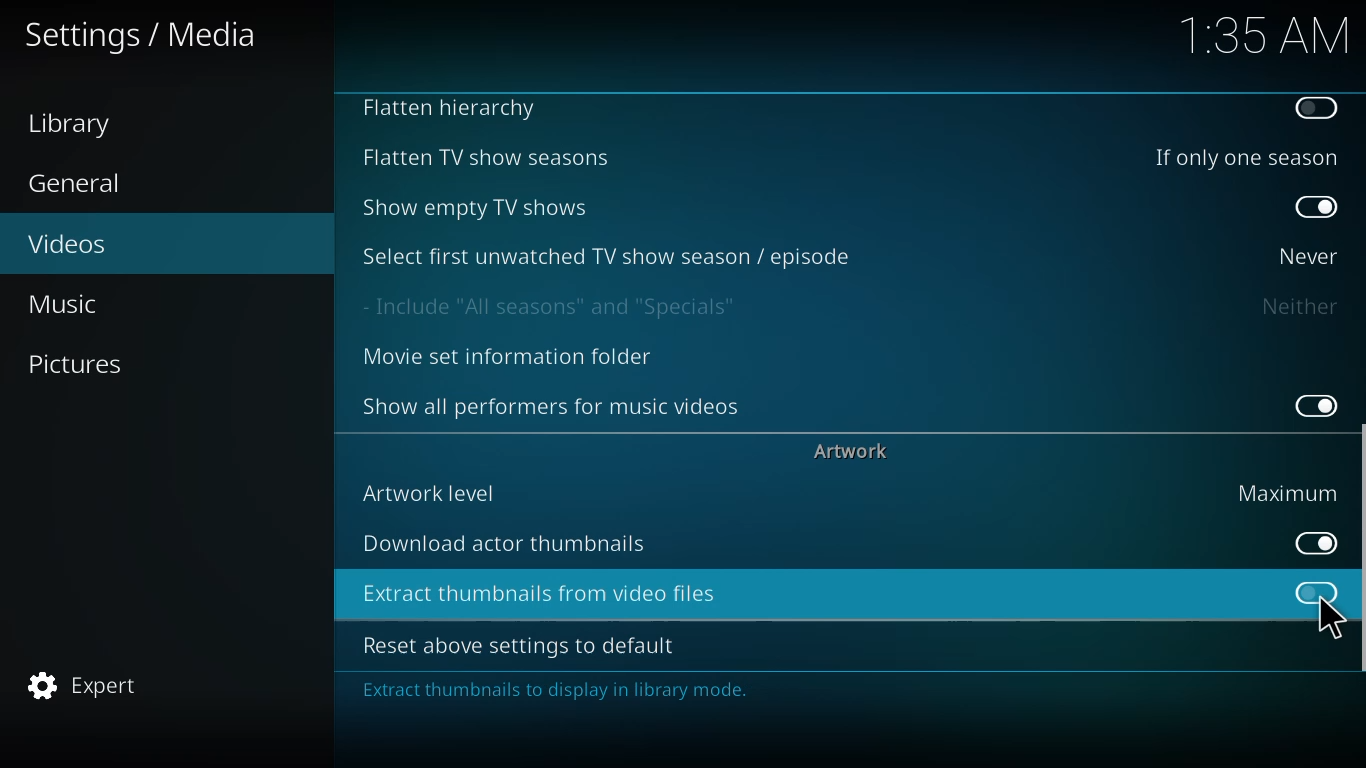 The height and width of the screenshot is (768, 1366). What do you see at coordinates (854, 450) in the screenshot?
I see `artwork` at bounding box center [854, 450].